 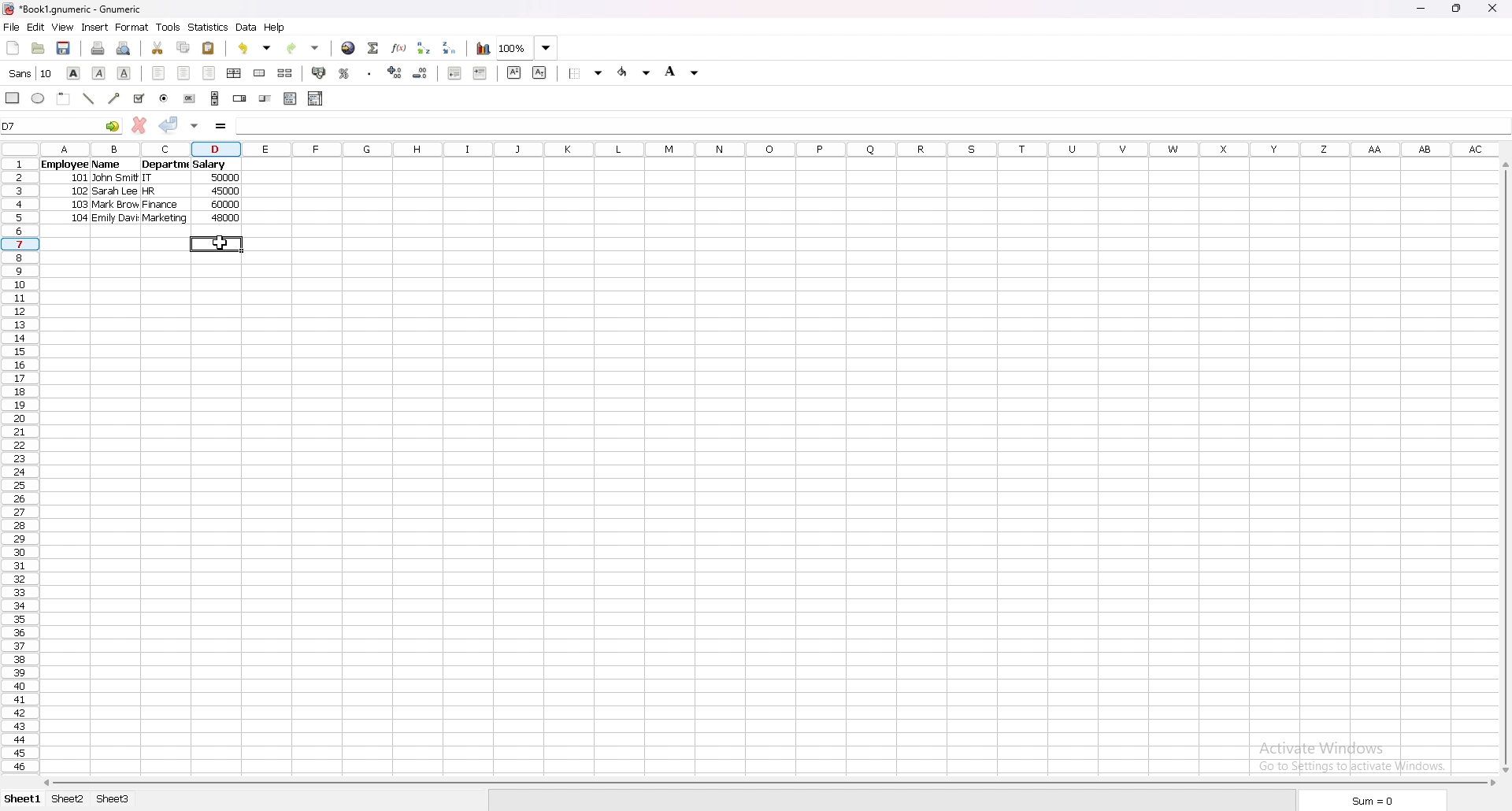 I want to click on help, so click(x=275, y=28).